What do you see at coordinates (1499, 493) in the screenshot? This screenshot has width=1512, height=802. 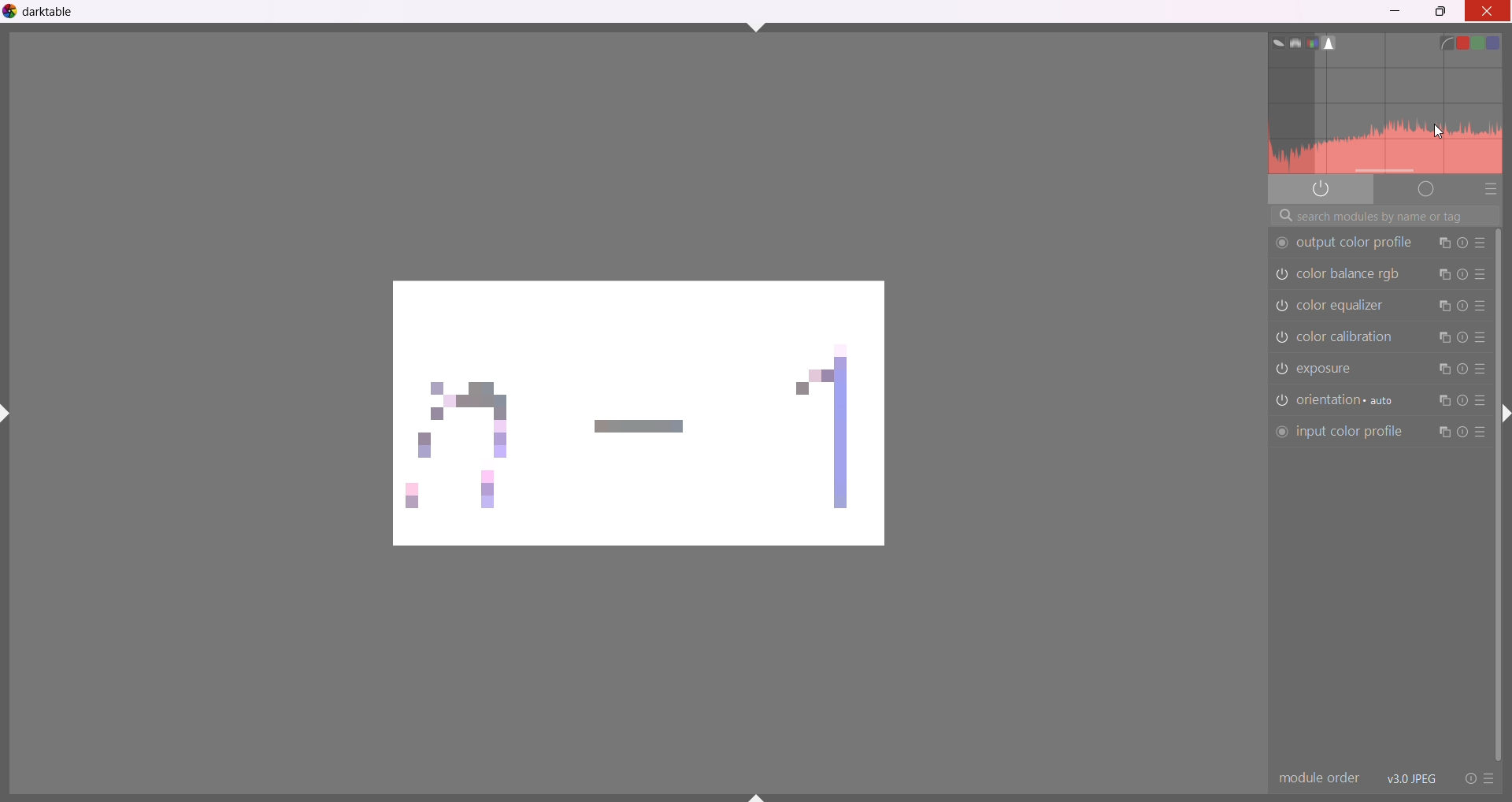 I see `vertical scroll bar` at bounding box center [1499, 493].